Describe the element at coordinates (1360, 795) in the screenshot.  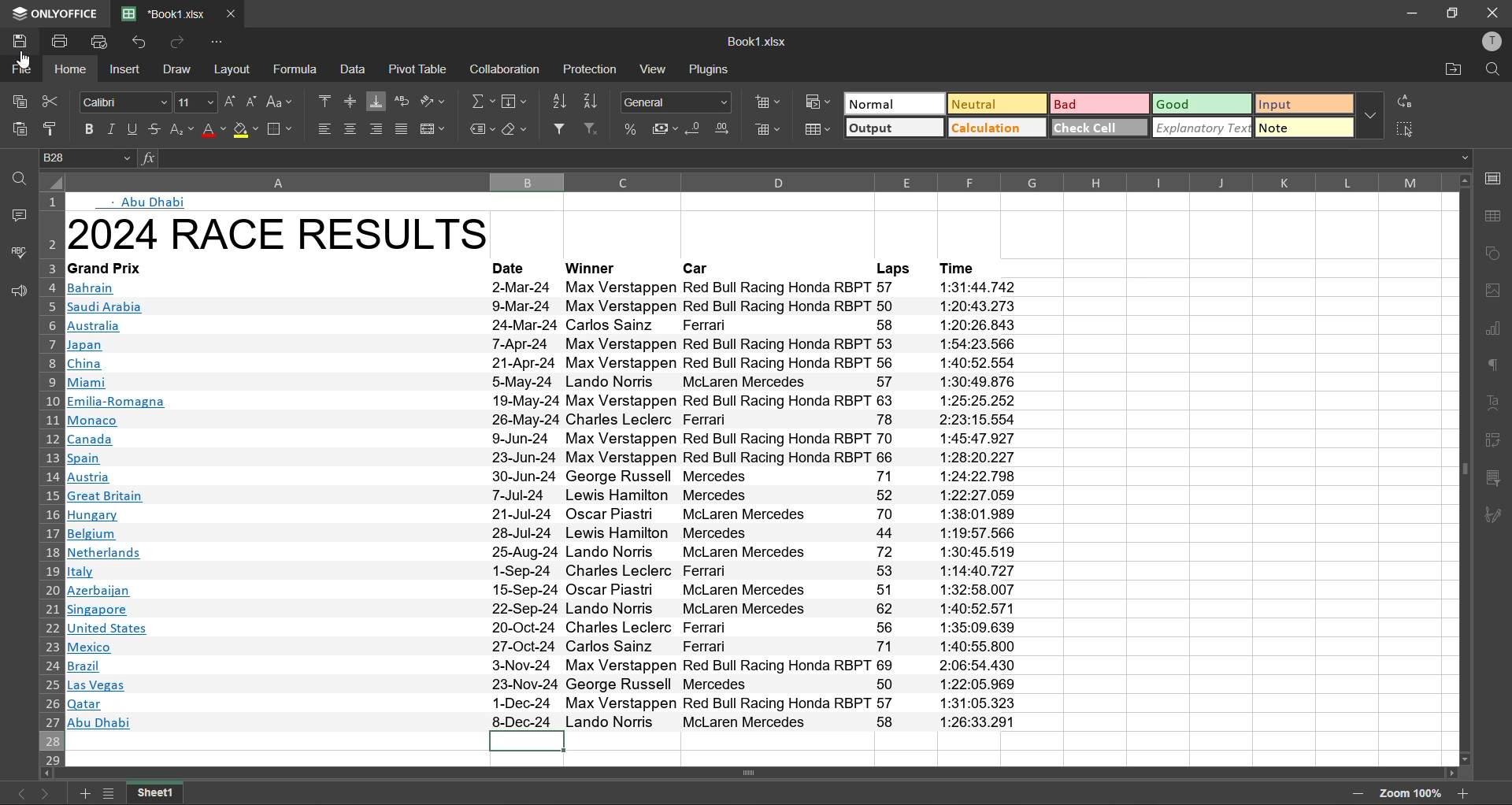
I see `zoom out` at that location.